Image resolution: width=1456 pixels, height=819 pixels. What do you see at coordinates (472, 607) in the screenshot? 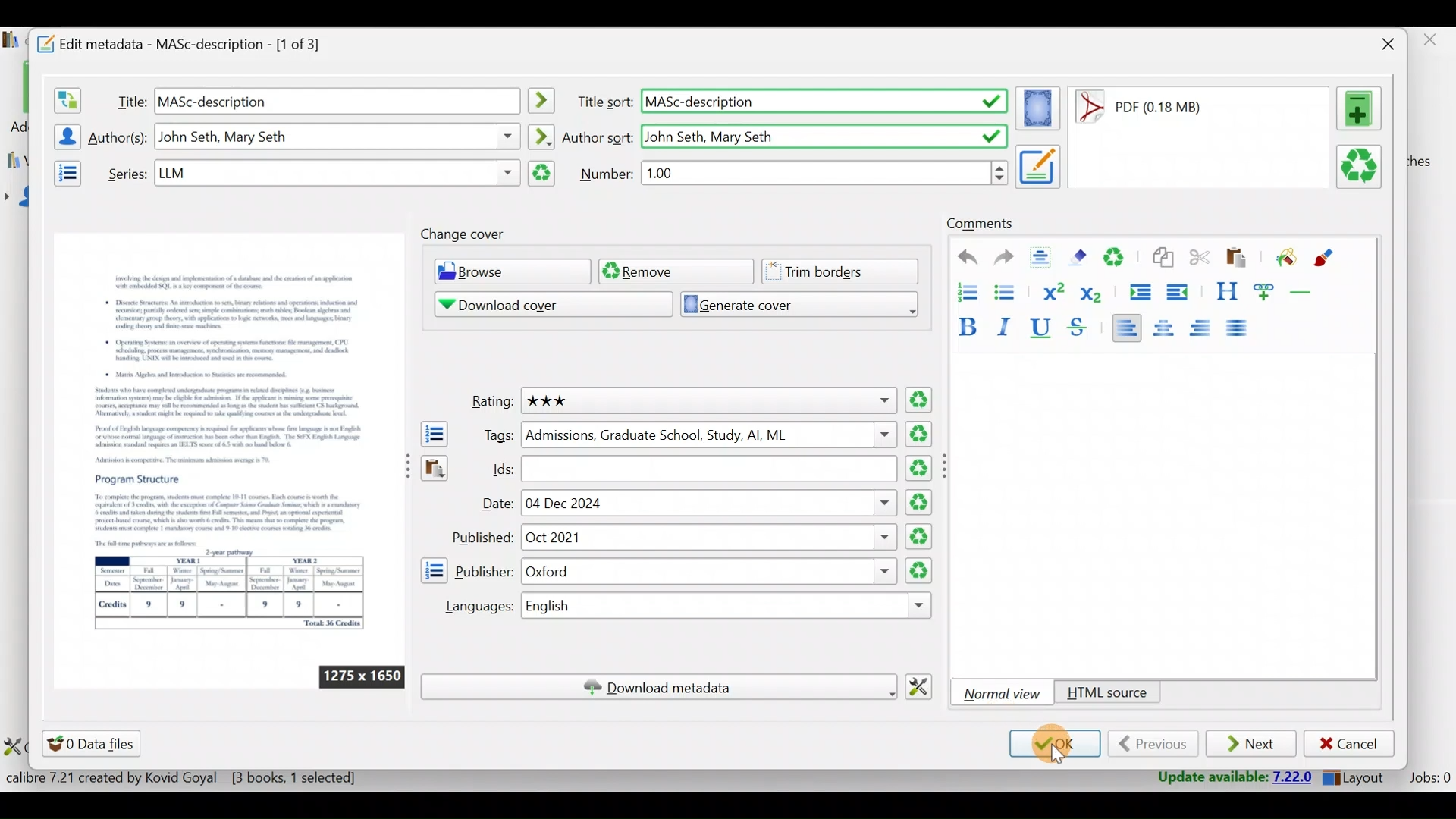
I see `Languages` at bounding box center [472, 607].